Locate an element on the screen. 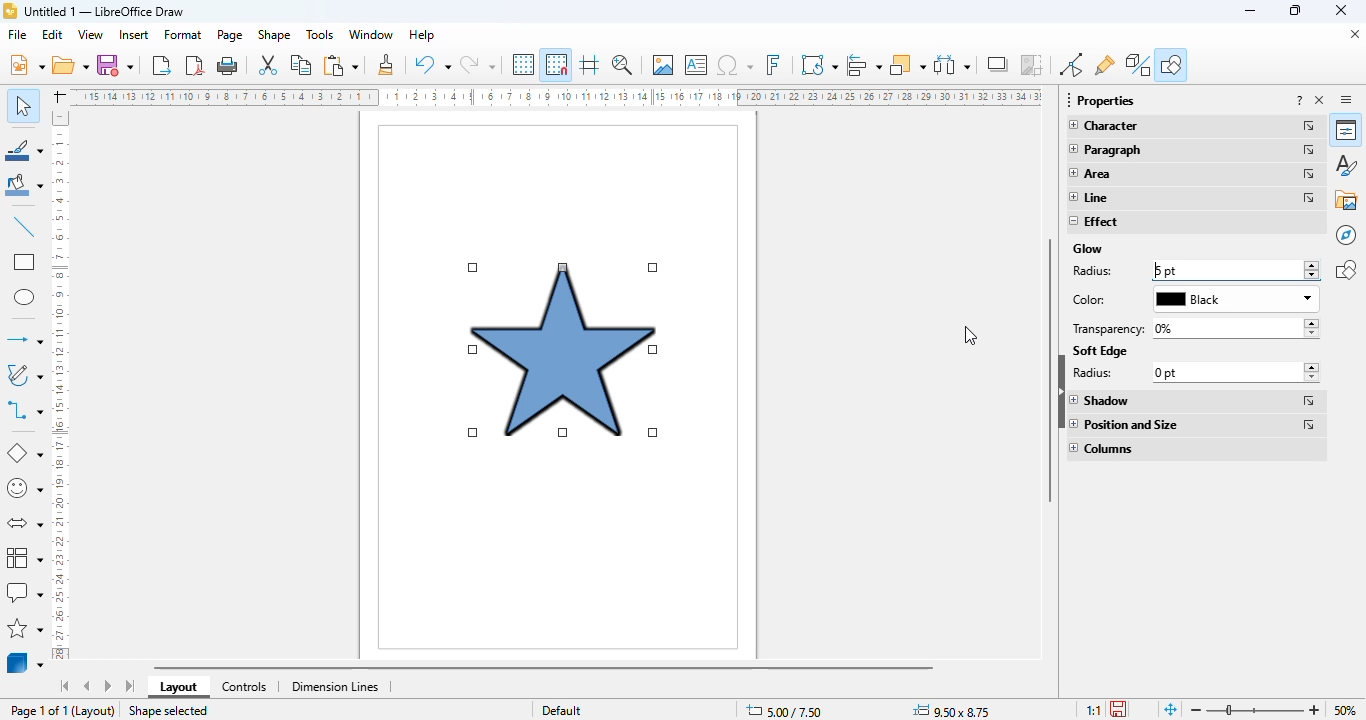 The width and height of the screenshot is (1366, 720). snap to grid is located at coordinates (557, 64).